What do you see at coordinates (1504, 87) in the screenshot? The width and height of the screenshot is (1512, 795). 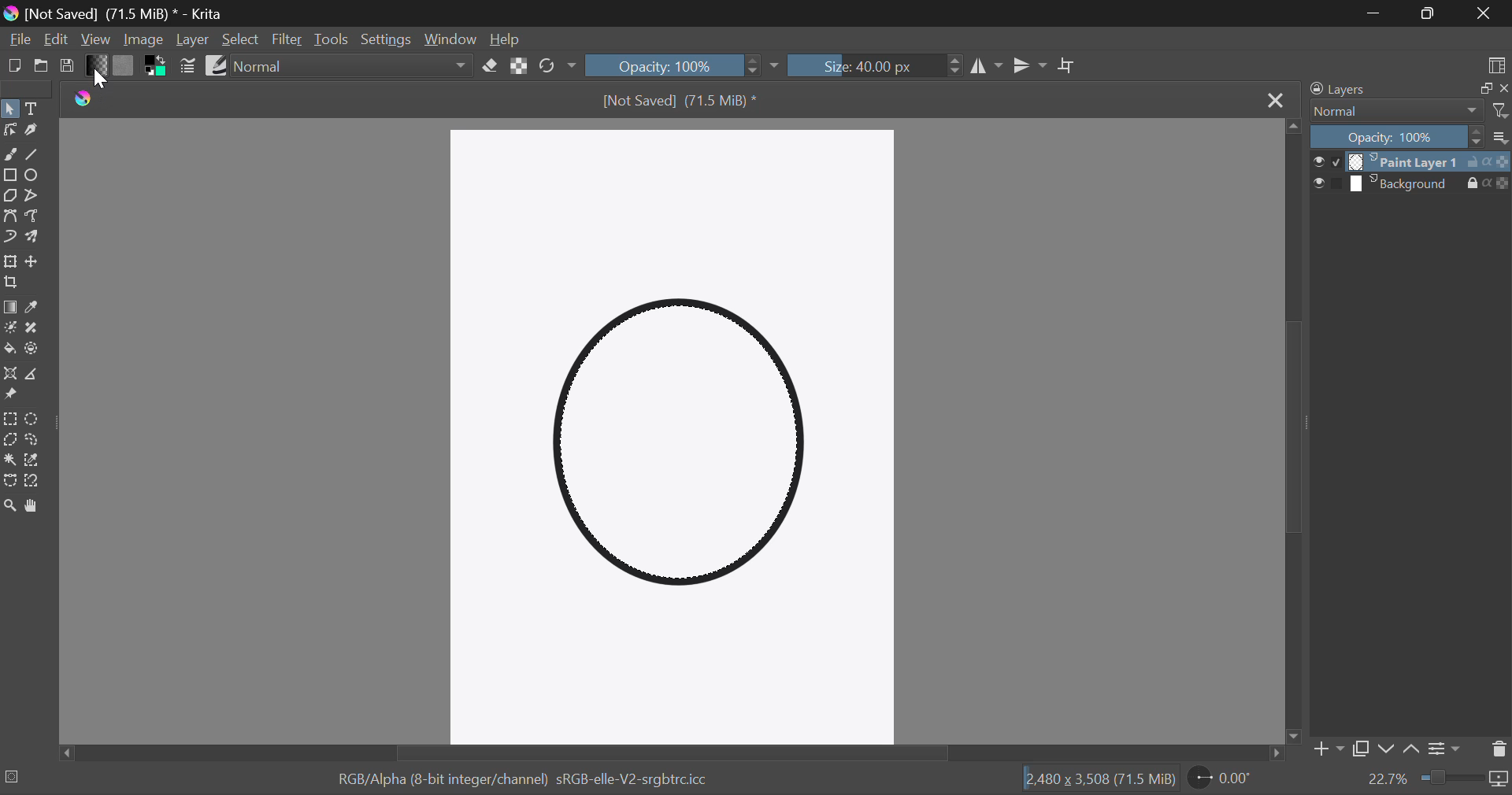 I see `close` at bounding box center [1504, 87].